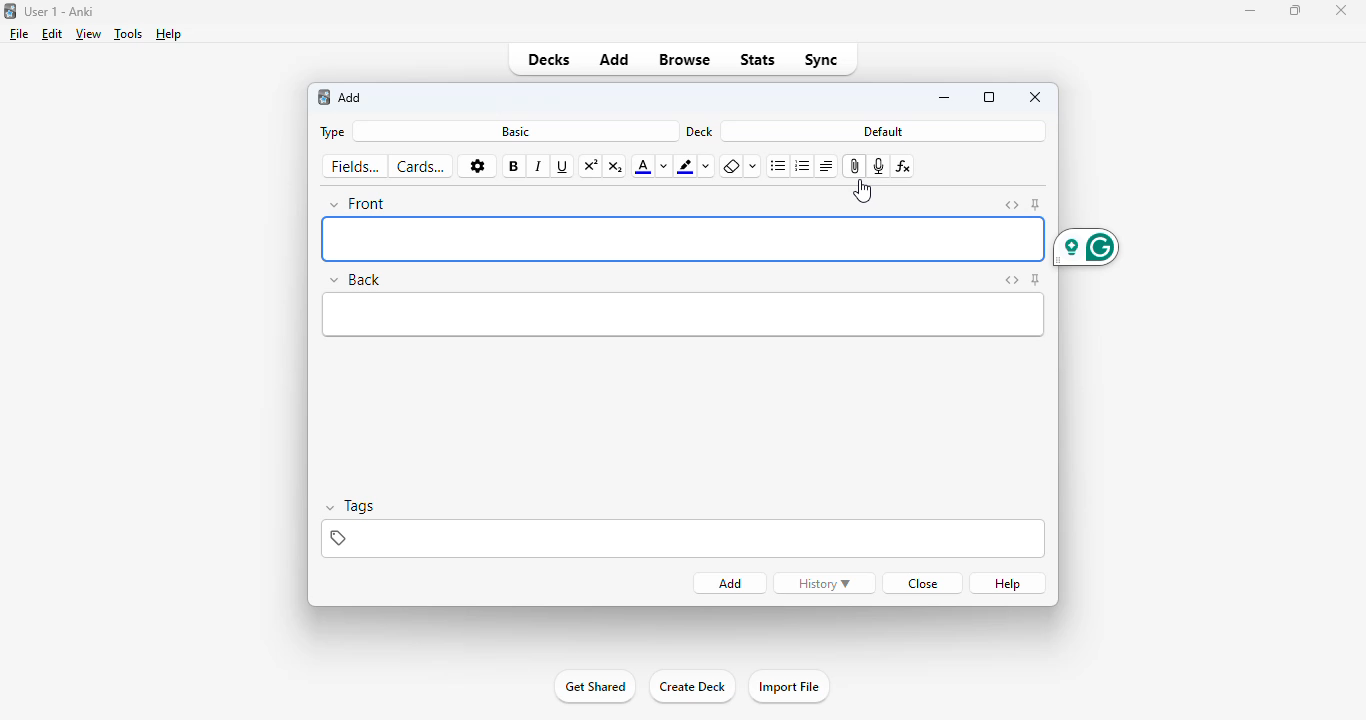 Image resolution: width=1366 pixels, height=720 pixels. What do you see at coordinates (905, 167) in the screenshot?
I see `equations` at bounding box center [905, 167].